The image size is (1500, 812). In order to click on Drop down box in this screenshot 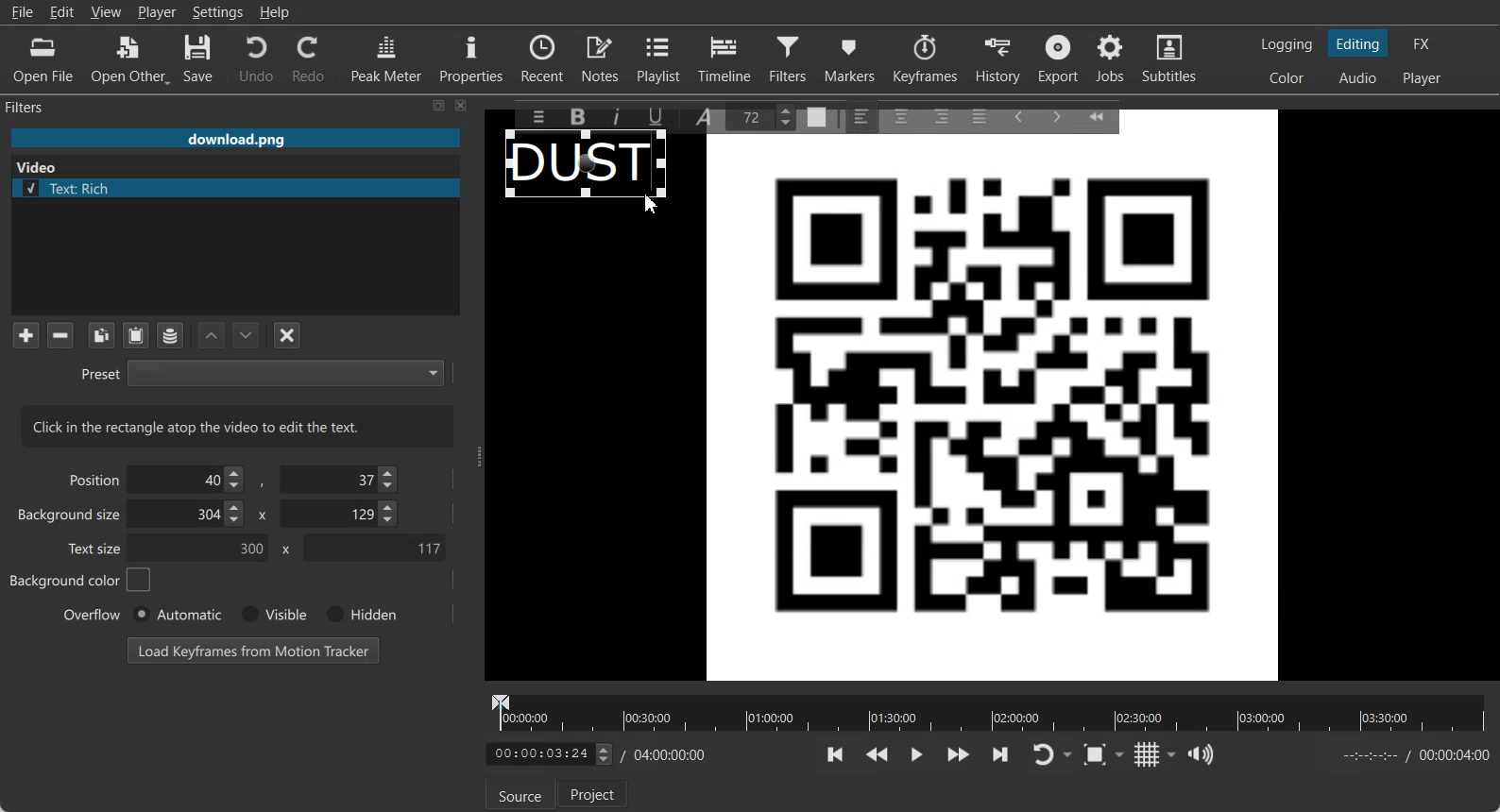, I will do `click(1069, 755)`.